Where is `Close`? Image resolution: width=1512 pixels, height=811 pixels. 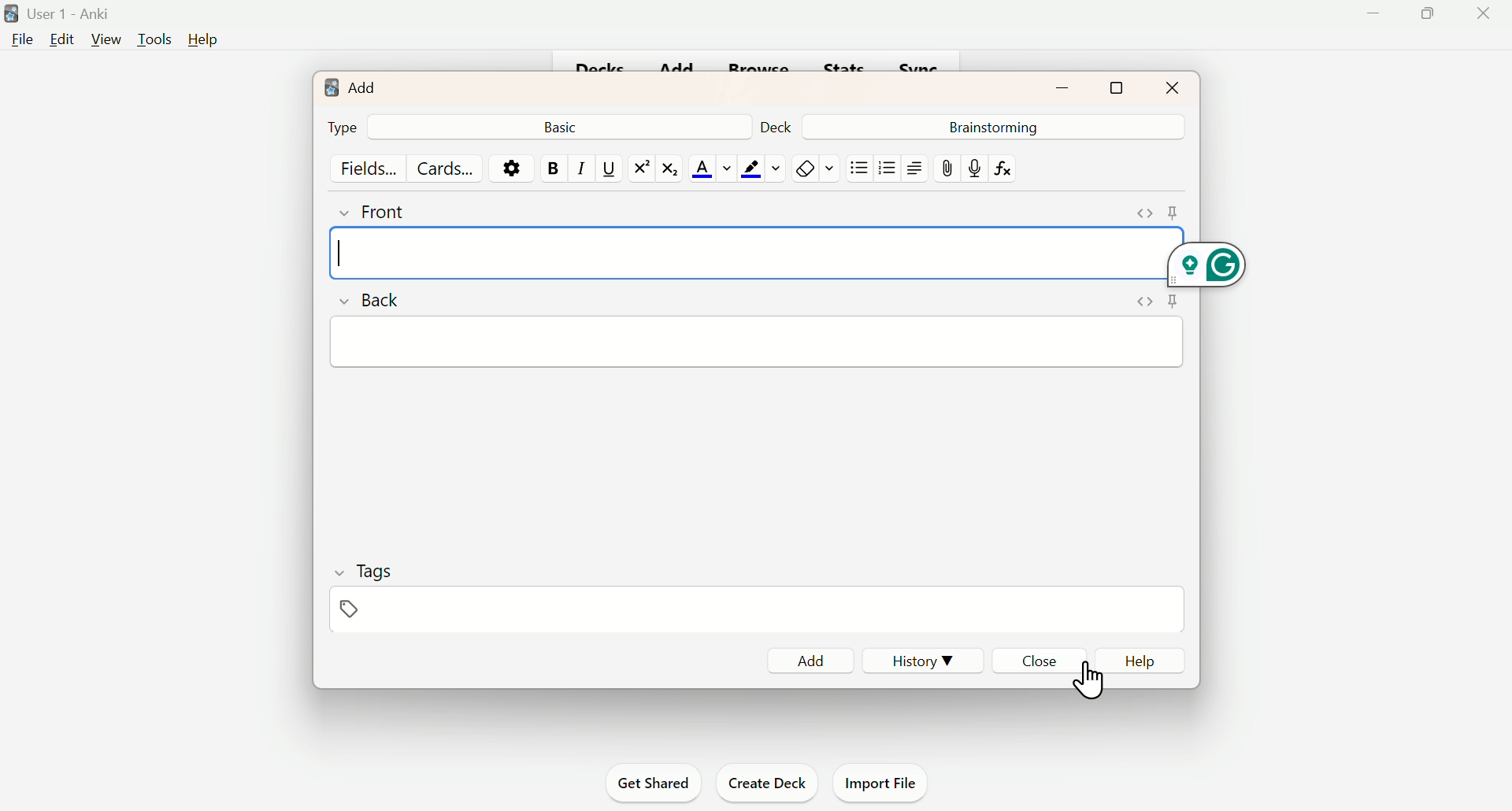 Close is located at coordinates (1484, 27).